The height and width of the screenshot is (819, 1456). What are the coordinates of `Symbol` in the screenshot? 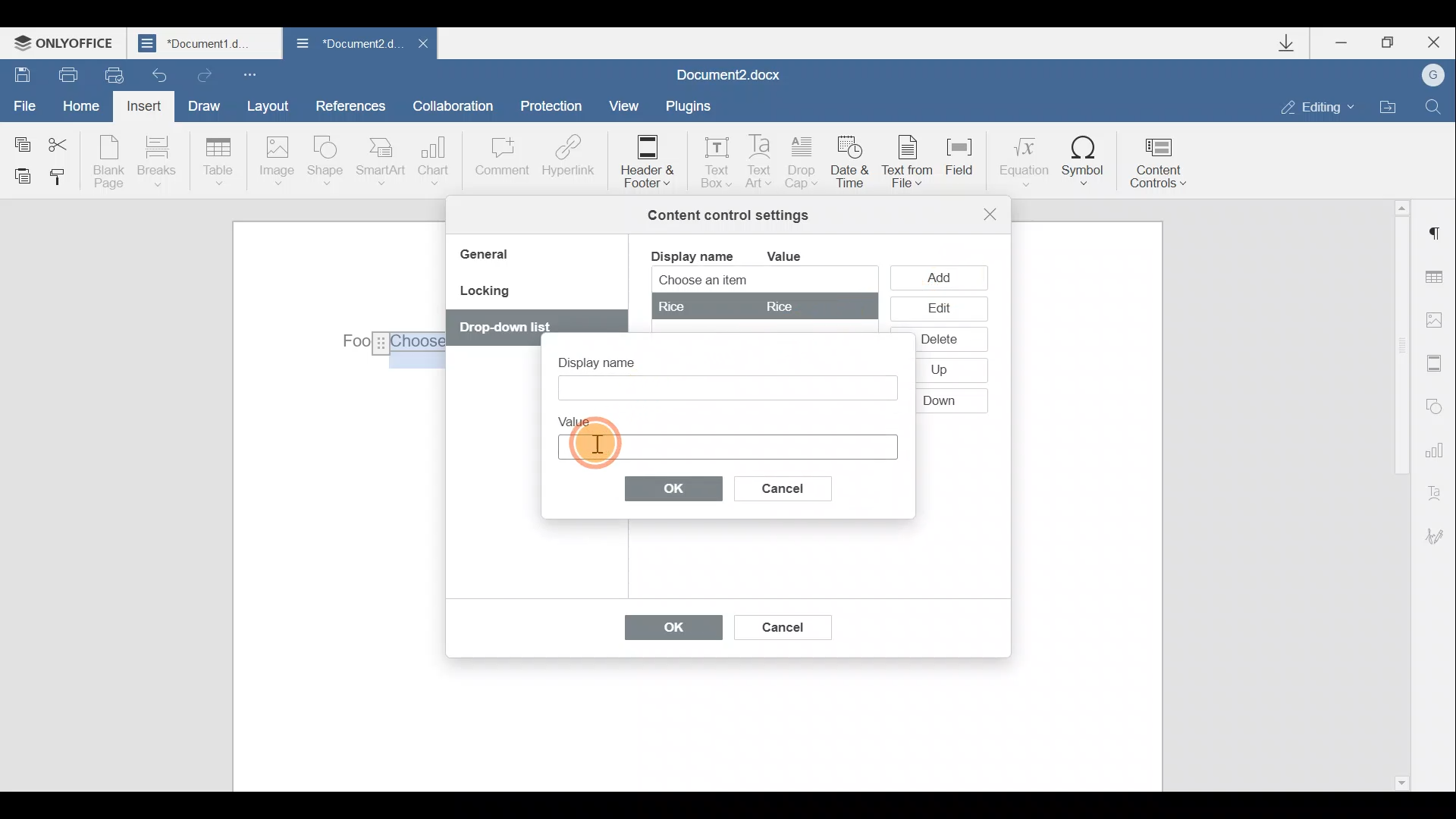 It's located at (1084, 160).